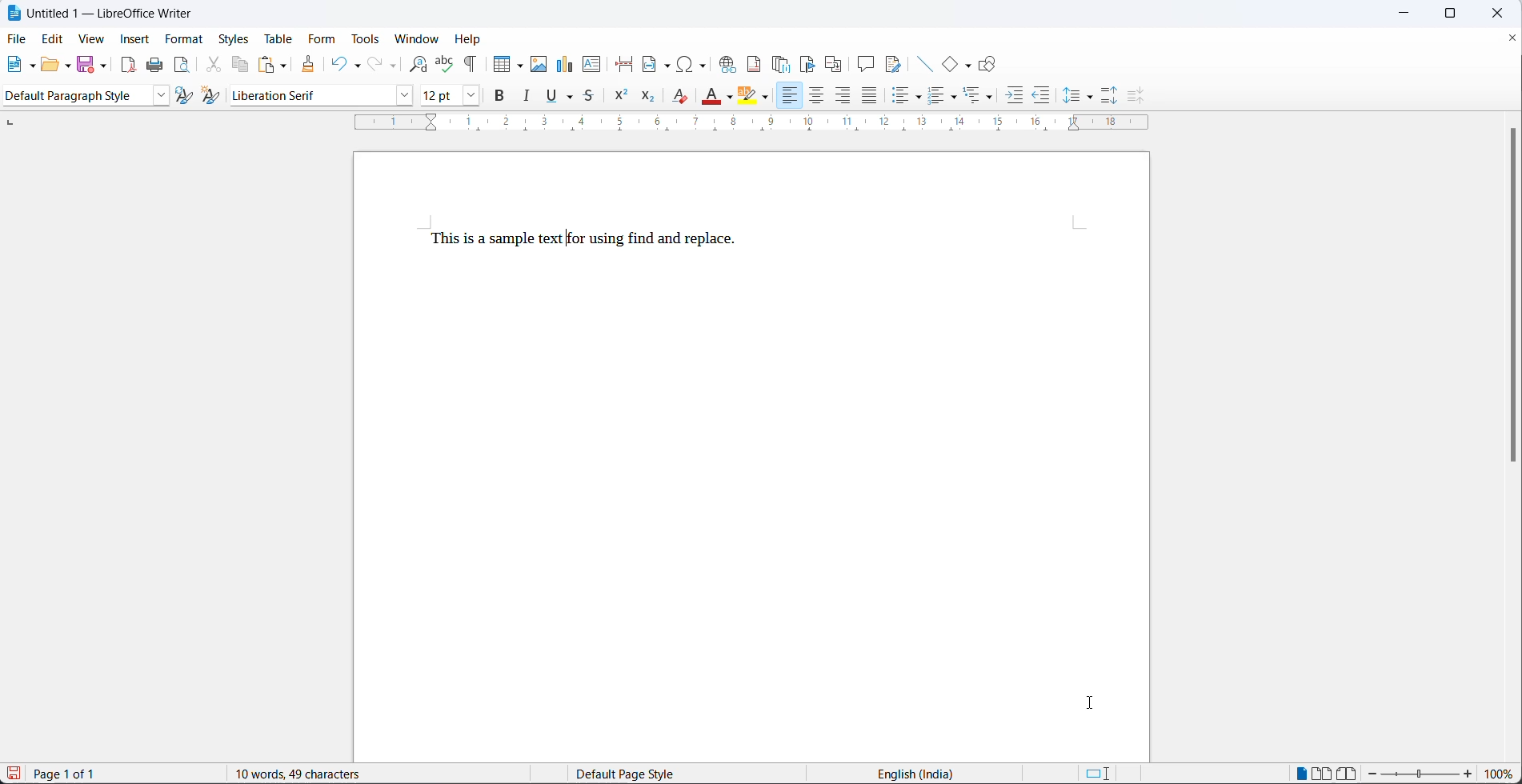 The height and width of the screenshot is (784, 1522). Describe the element at coordinates (920, 98) in the screenshot. I see `toggle unordered list options` at that location.